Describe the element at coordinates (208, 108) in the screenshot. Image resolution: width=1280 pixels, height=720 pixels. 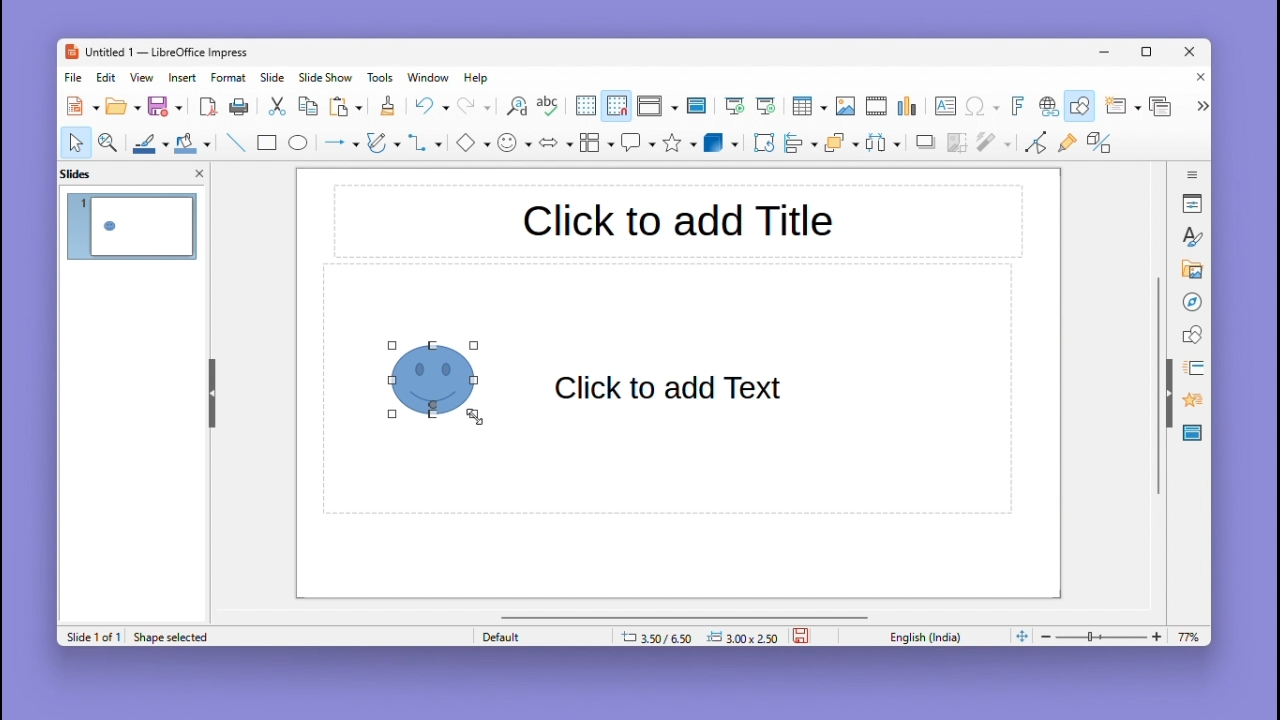
I see `Export as PDF` at that location.